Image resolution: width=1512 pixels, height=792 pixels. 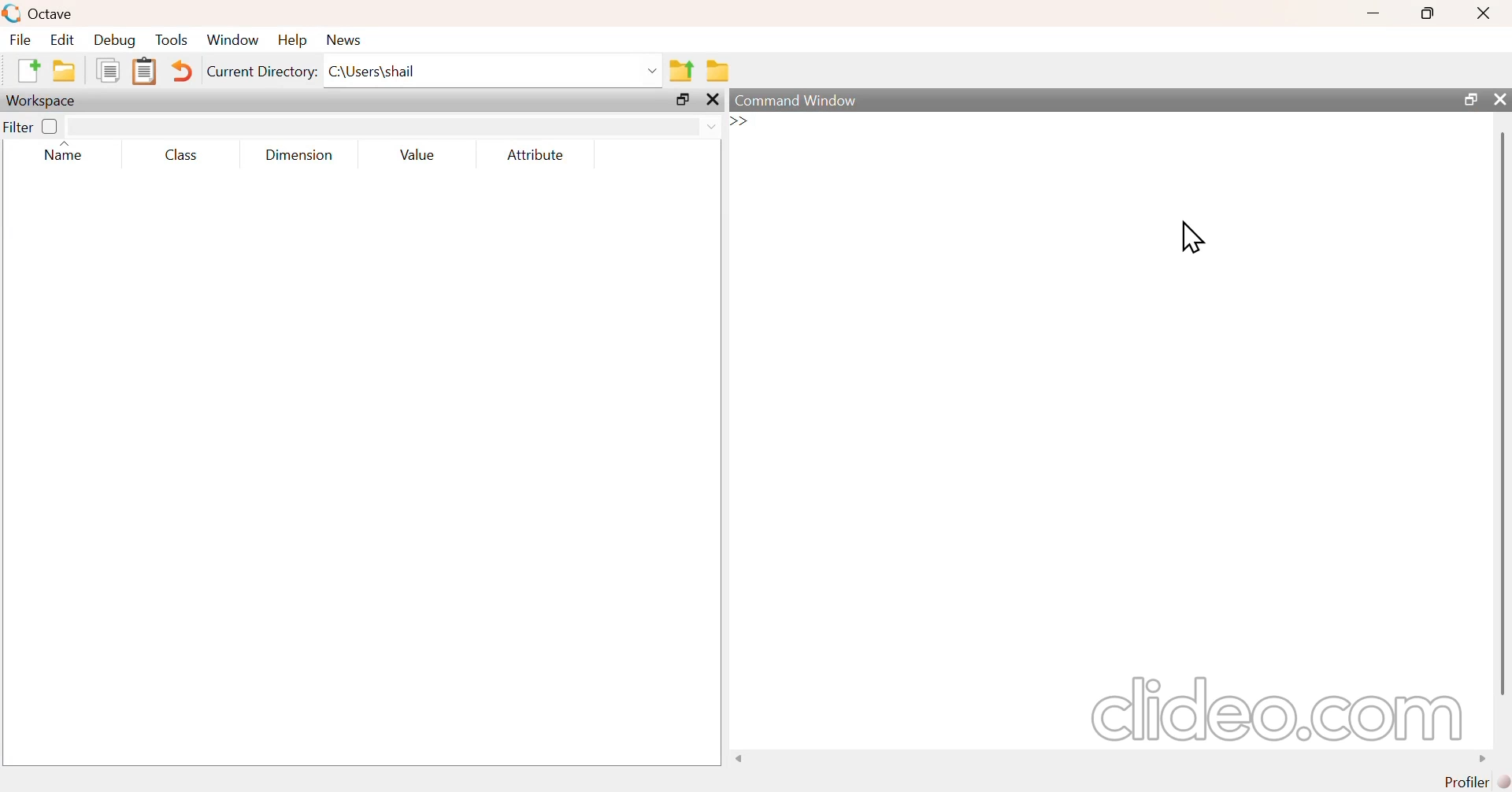 What do you see at coordinates (762, 124) in the screenshot?
I see `typing cursor` at bounding box center [762, 124].